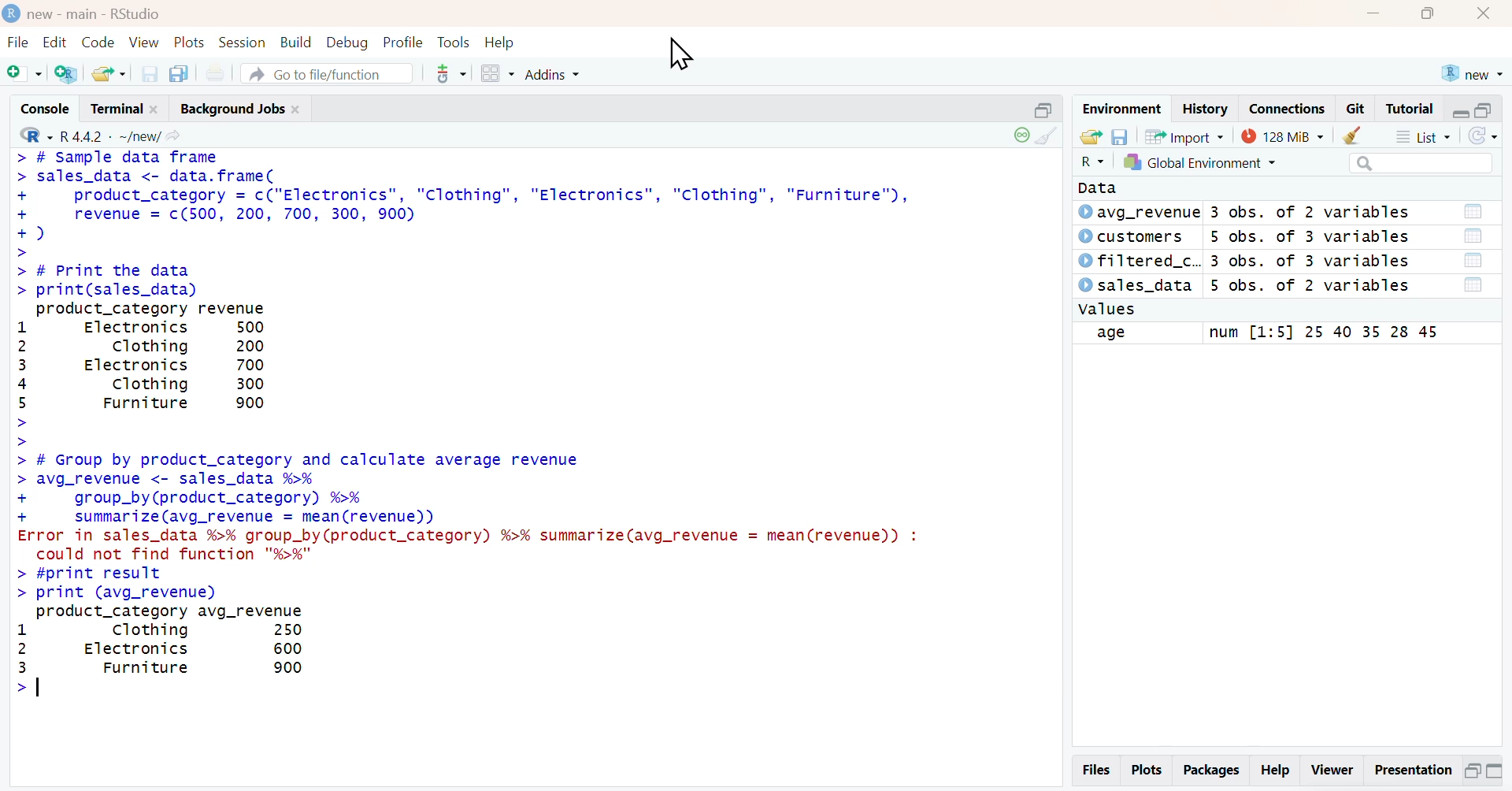 This screenshot has width=1512, height=791. What do you see at coordinates (680, 54) in the screenshot?
I see `cursor` at bounding box center [680, 54].